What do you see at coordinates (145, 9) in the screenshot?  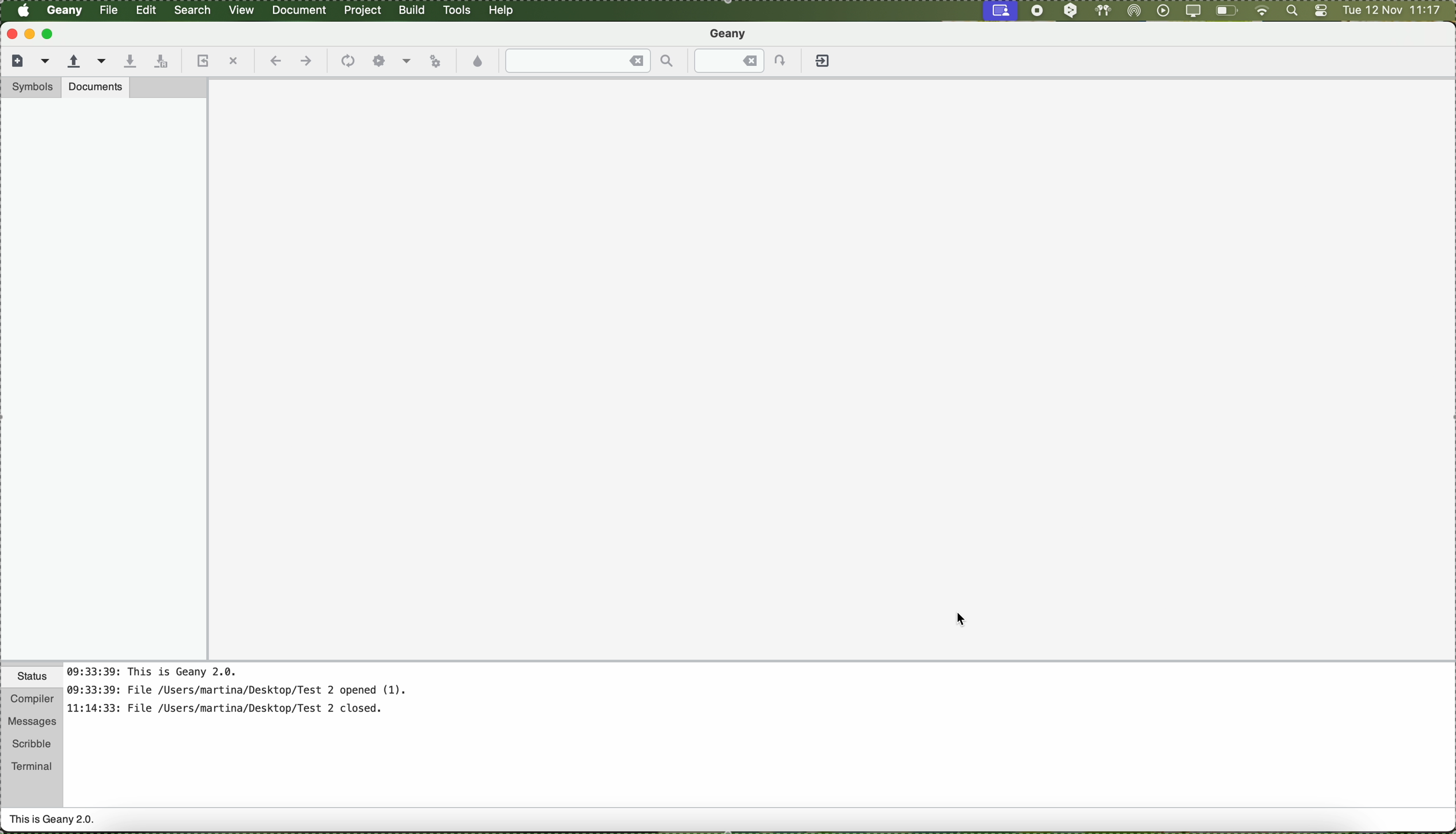 I see `edit` at bounding box center [145, 9].